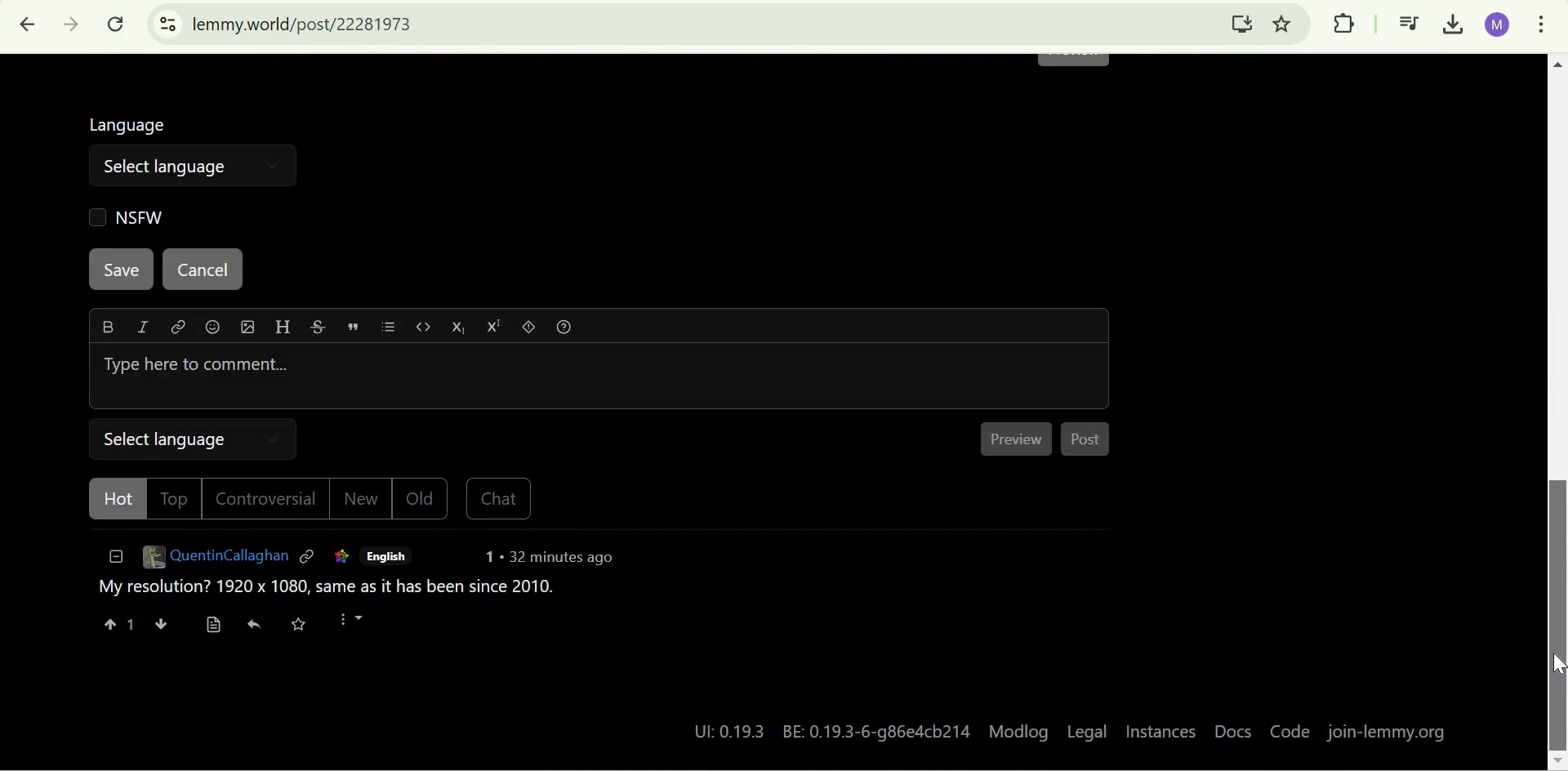  I want to click on English, so click(386, 557).